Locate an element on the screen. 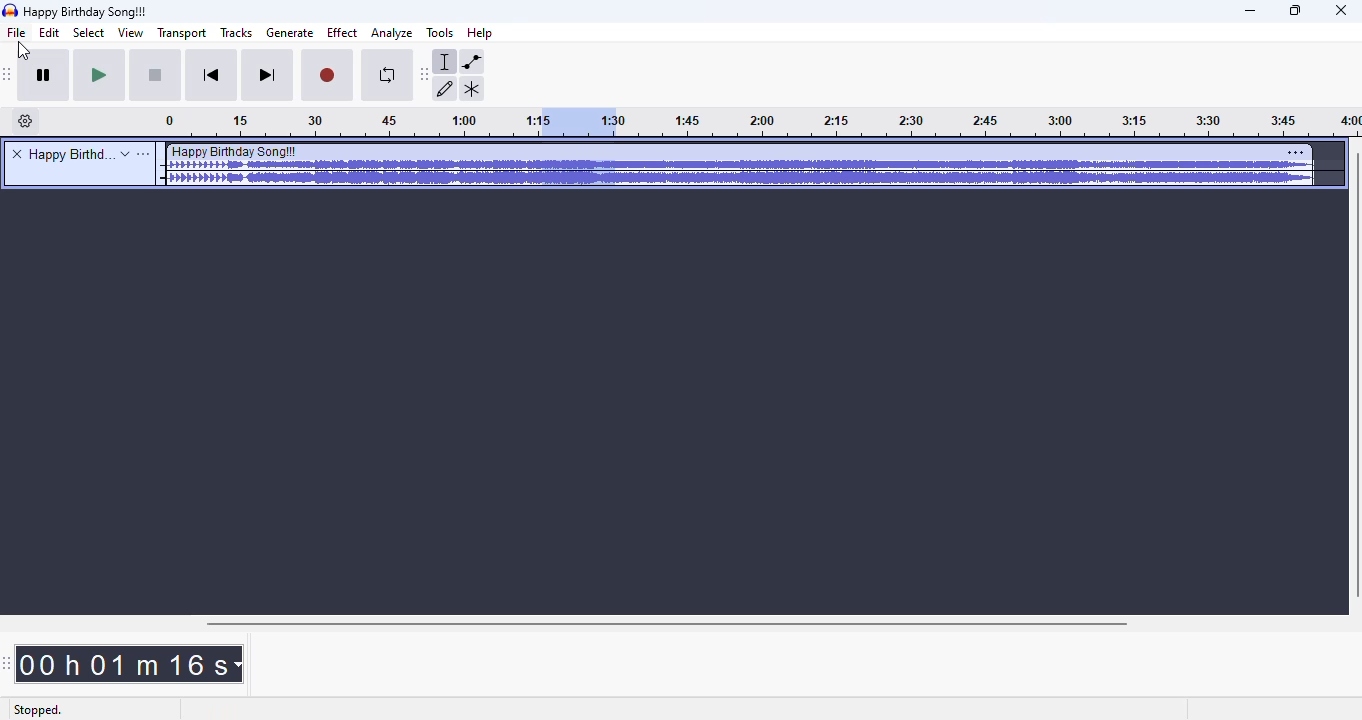  title is located at coordinates (87, 12).